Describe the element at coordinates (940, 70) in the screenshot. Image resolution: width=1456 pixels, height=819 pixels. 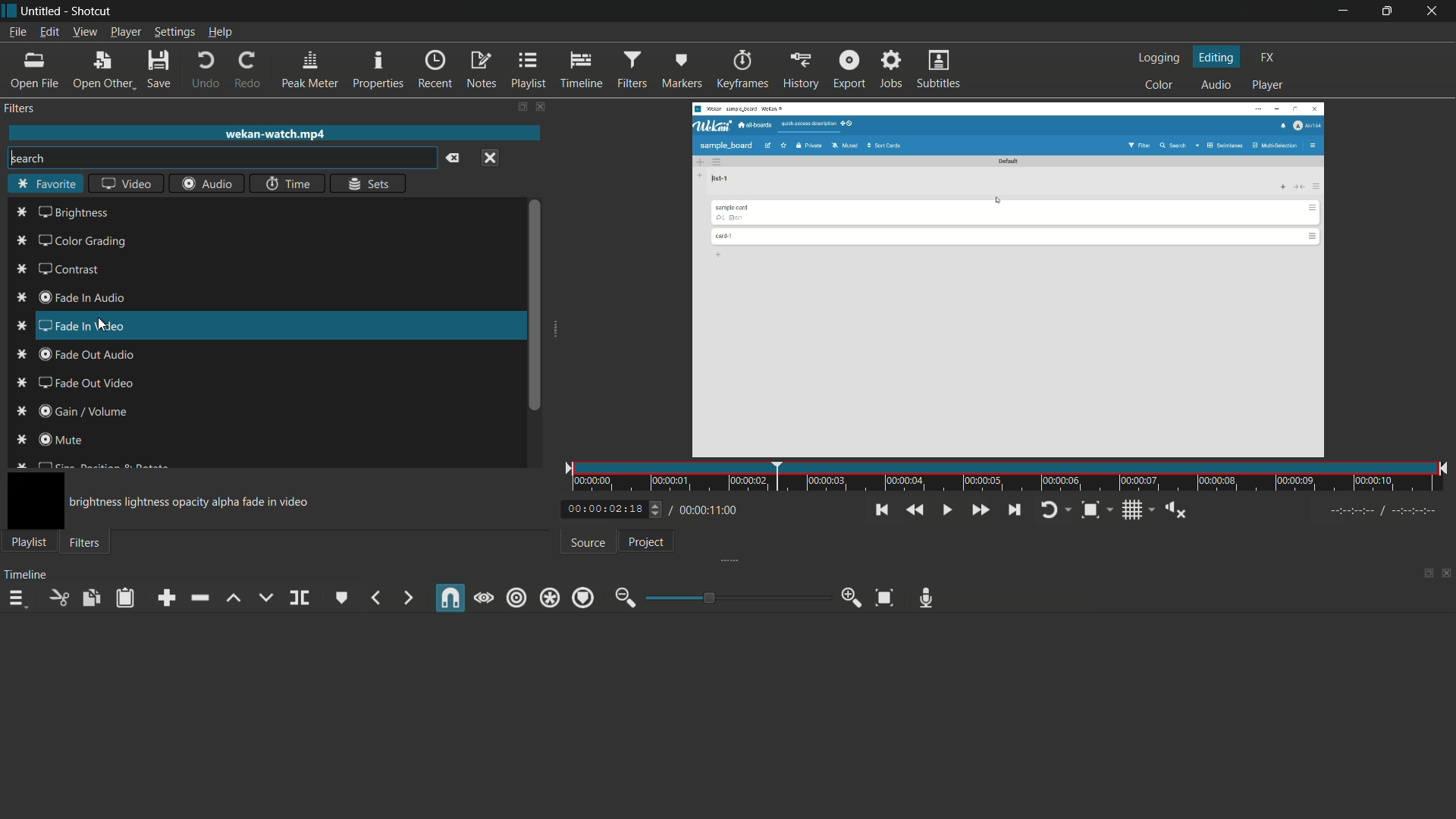
I see `subtitles` at that location.